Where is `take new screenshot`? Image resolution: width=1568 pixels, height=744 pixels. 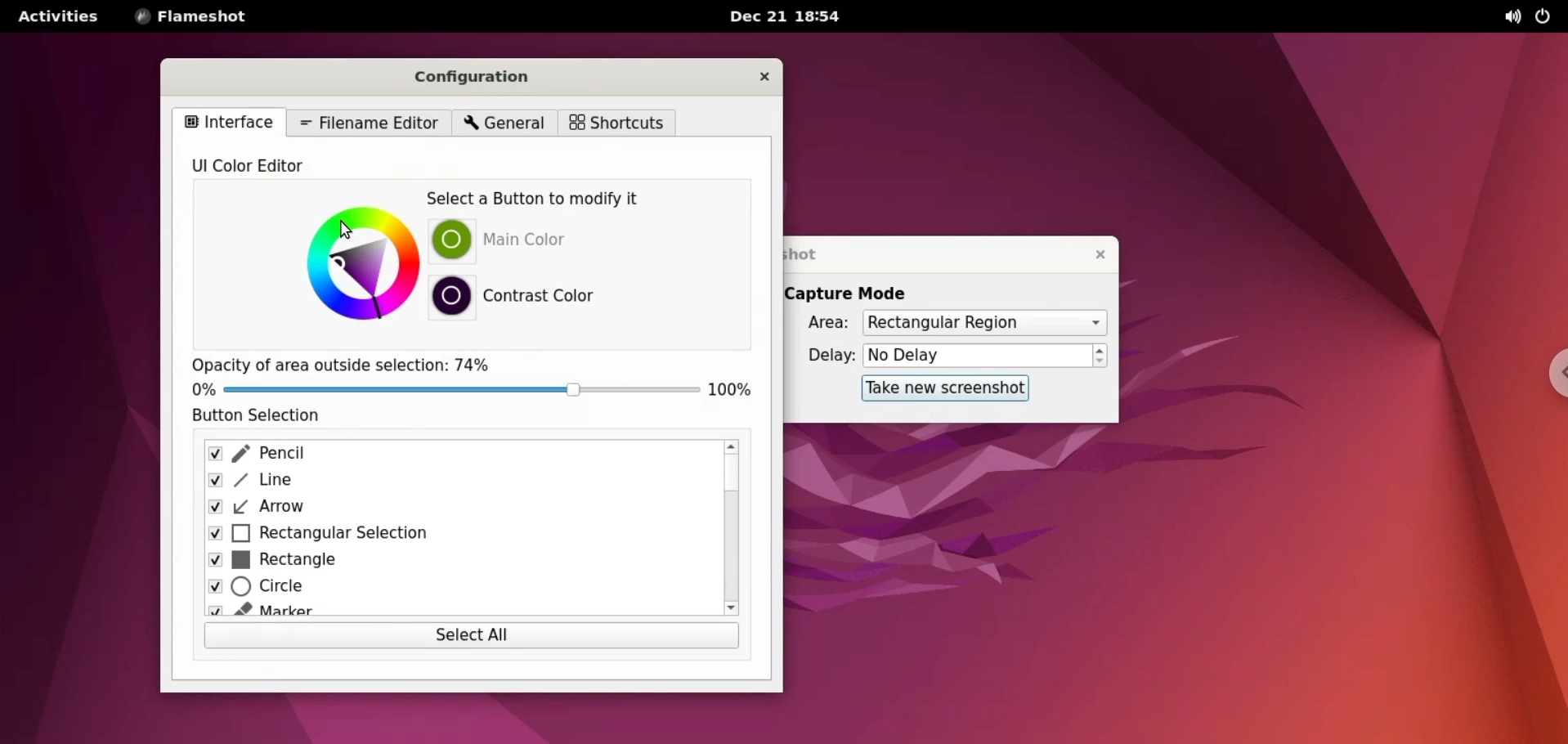 take new screenshot is located at coordinates (943, 388).